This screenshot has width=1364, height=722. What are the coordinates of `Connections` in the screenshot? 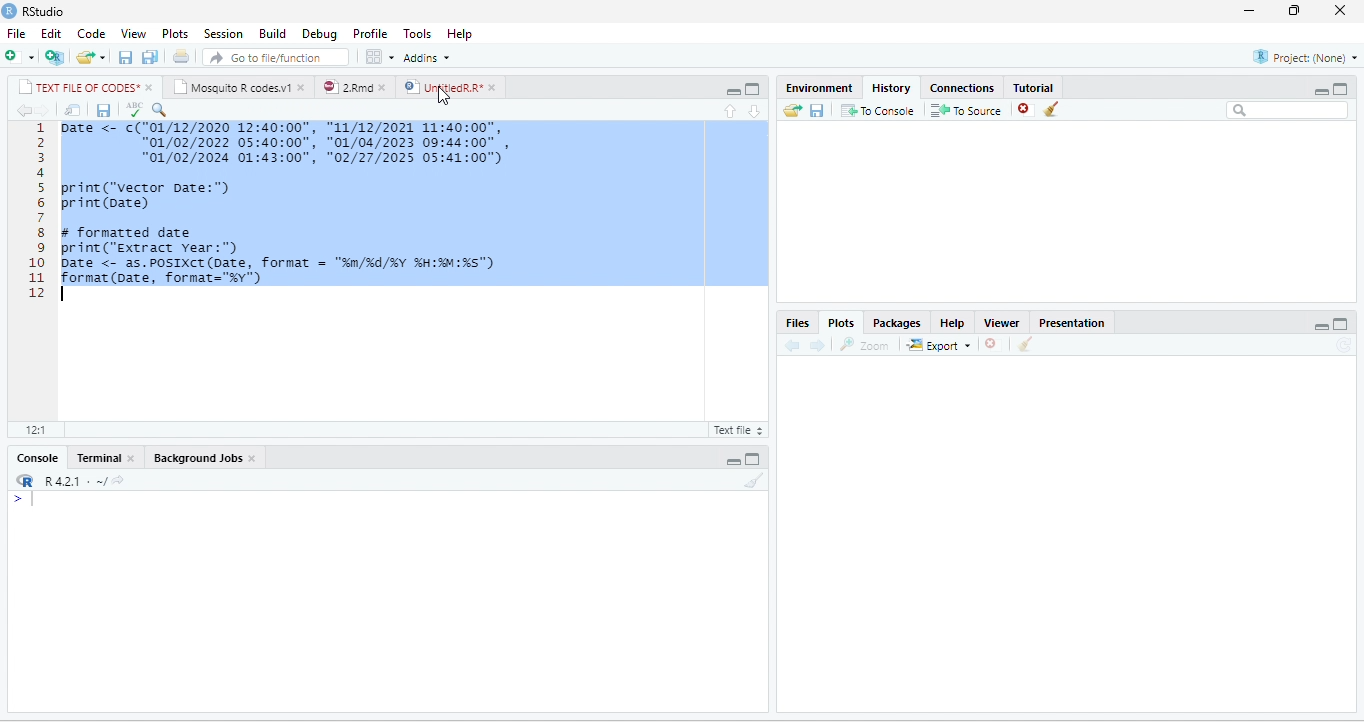 It's located at (963, 89).